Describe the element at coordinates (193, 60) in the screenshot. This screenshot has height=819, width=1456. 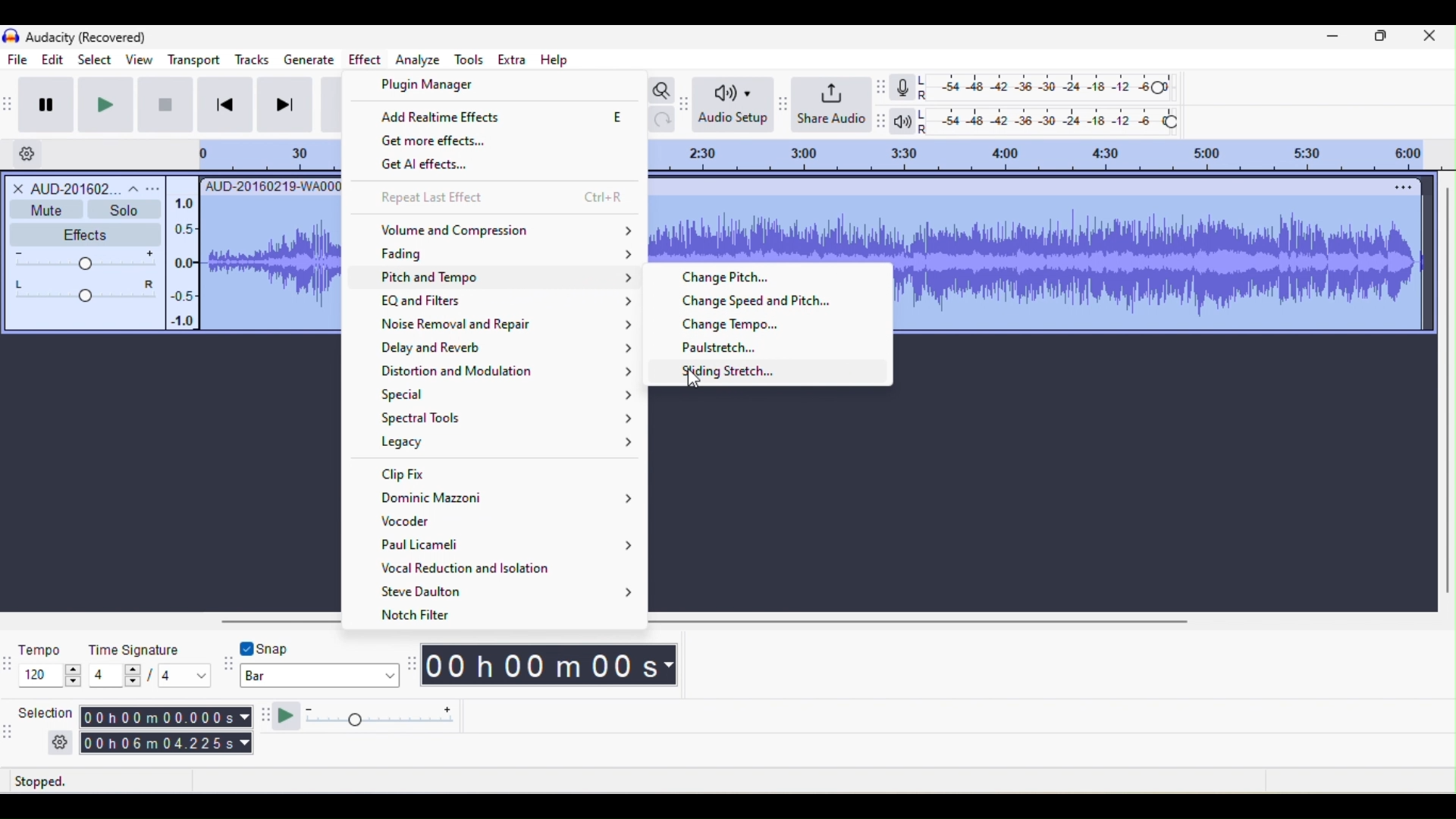
I see `transport` at that location.